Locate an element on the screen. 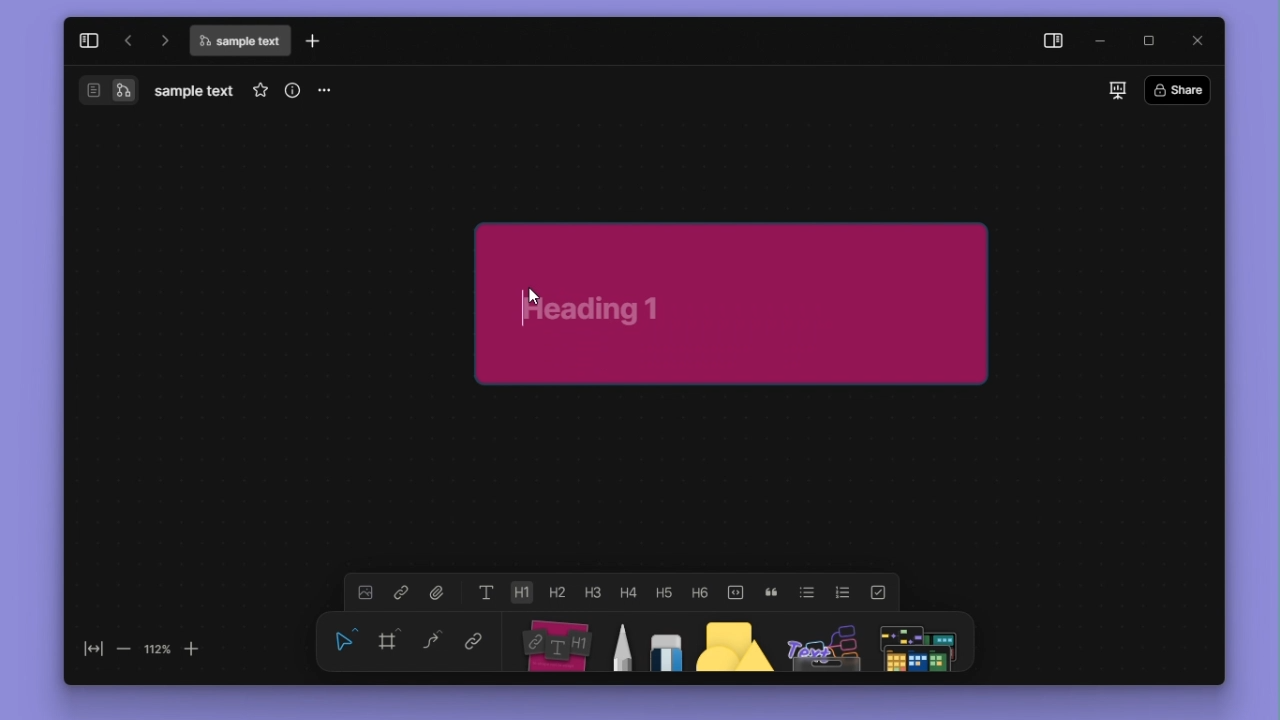 The height and width of the screenshot is (720, 1280). favourite is located at coordinates (260, 90).